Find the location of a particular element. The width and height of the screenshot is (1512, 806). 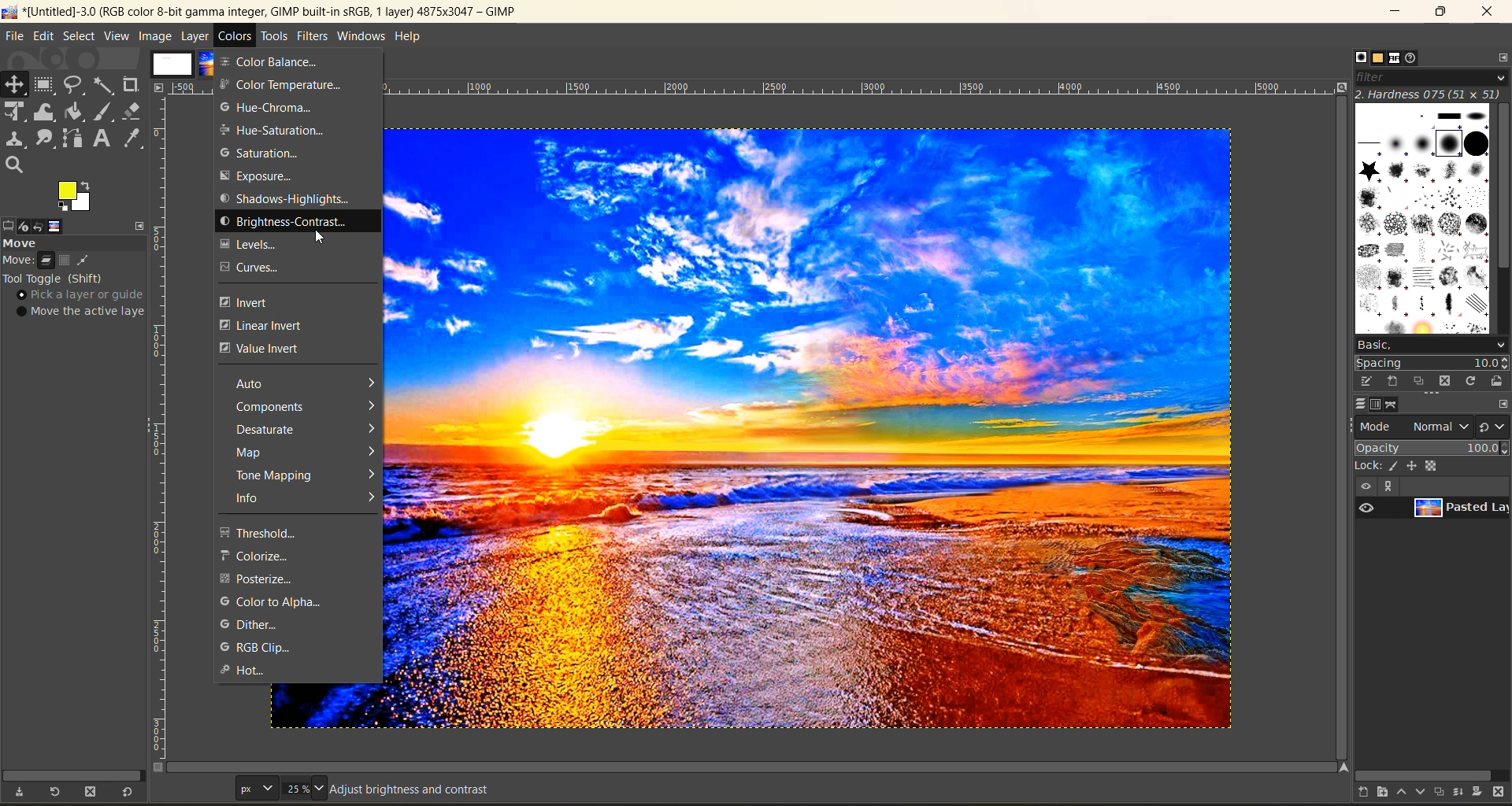

levels is located at coordinates (260, 245).